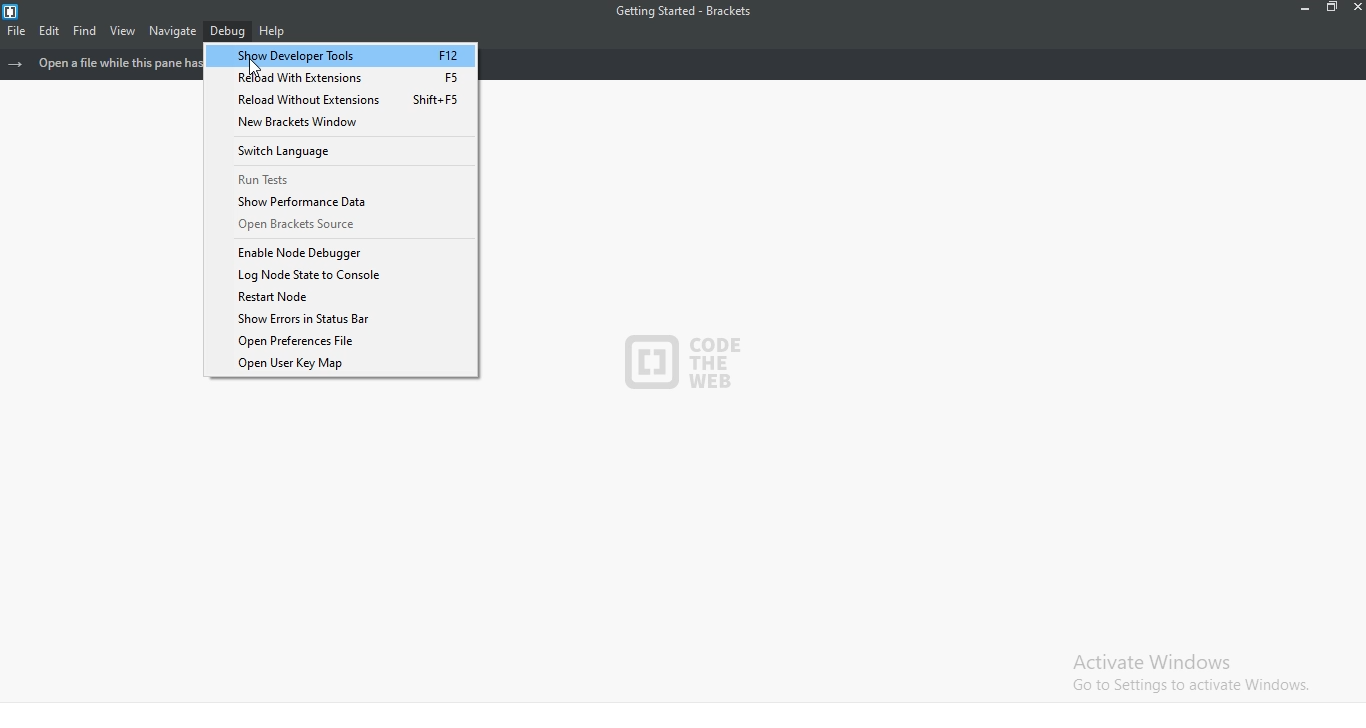 The image size is (1366, 728). Describe the element at coordinates (257, 68) in the screenshot. I see `cursor` at that location.